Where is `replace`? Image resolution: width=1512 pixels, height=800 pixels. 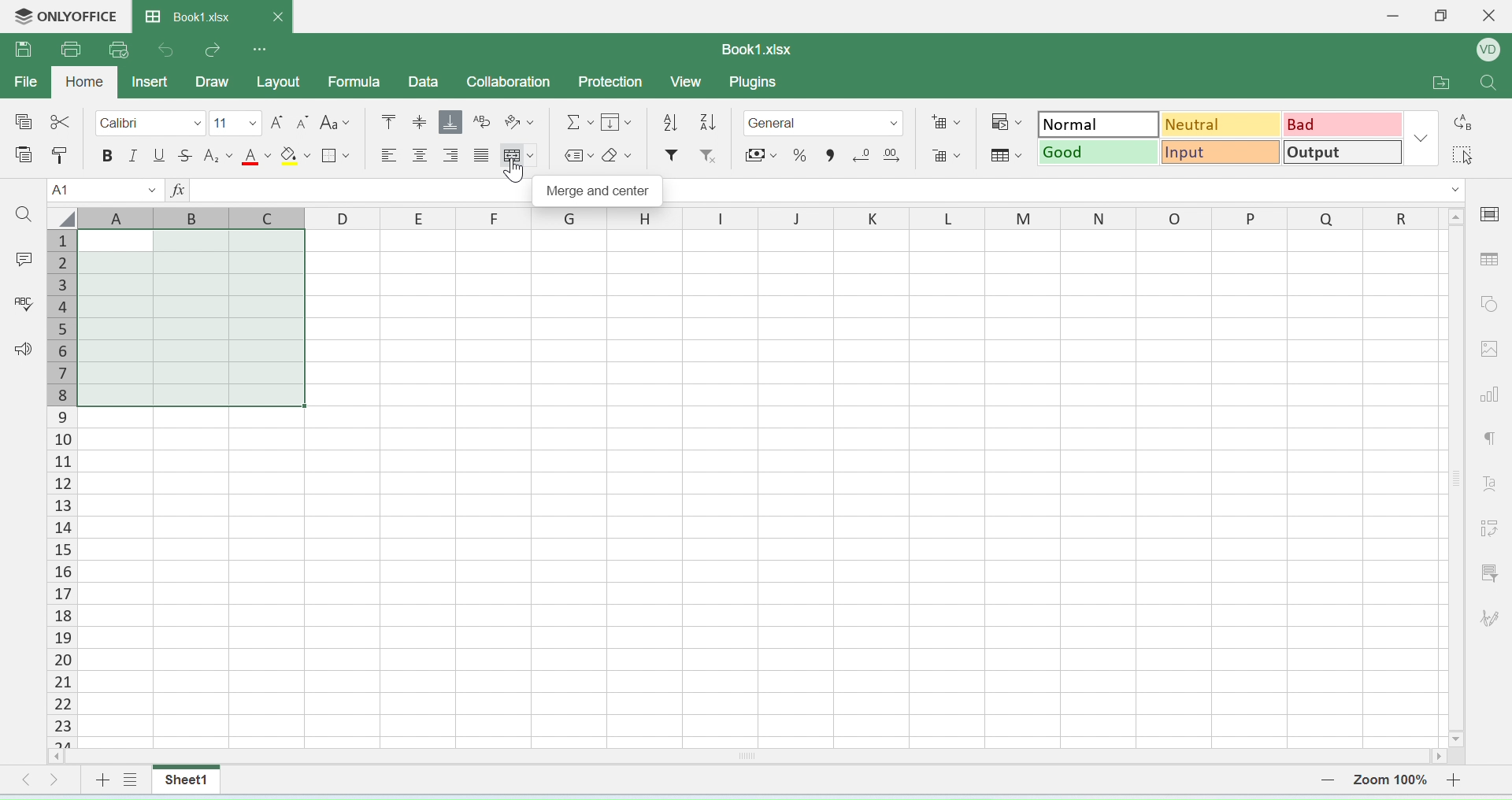 replace is located at coordinates (1466, 124).